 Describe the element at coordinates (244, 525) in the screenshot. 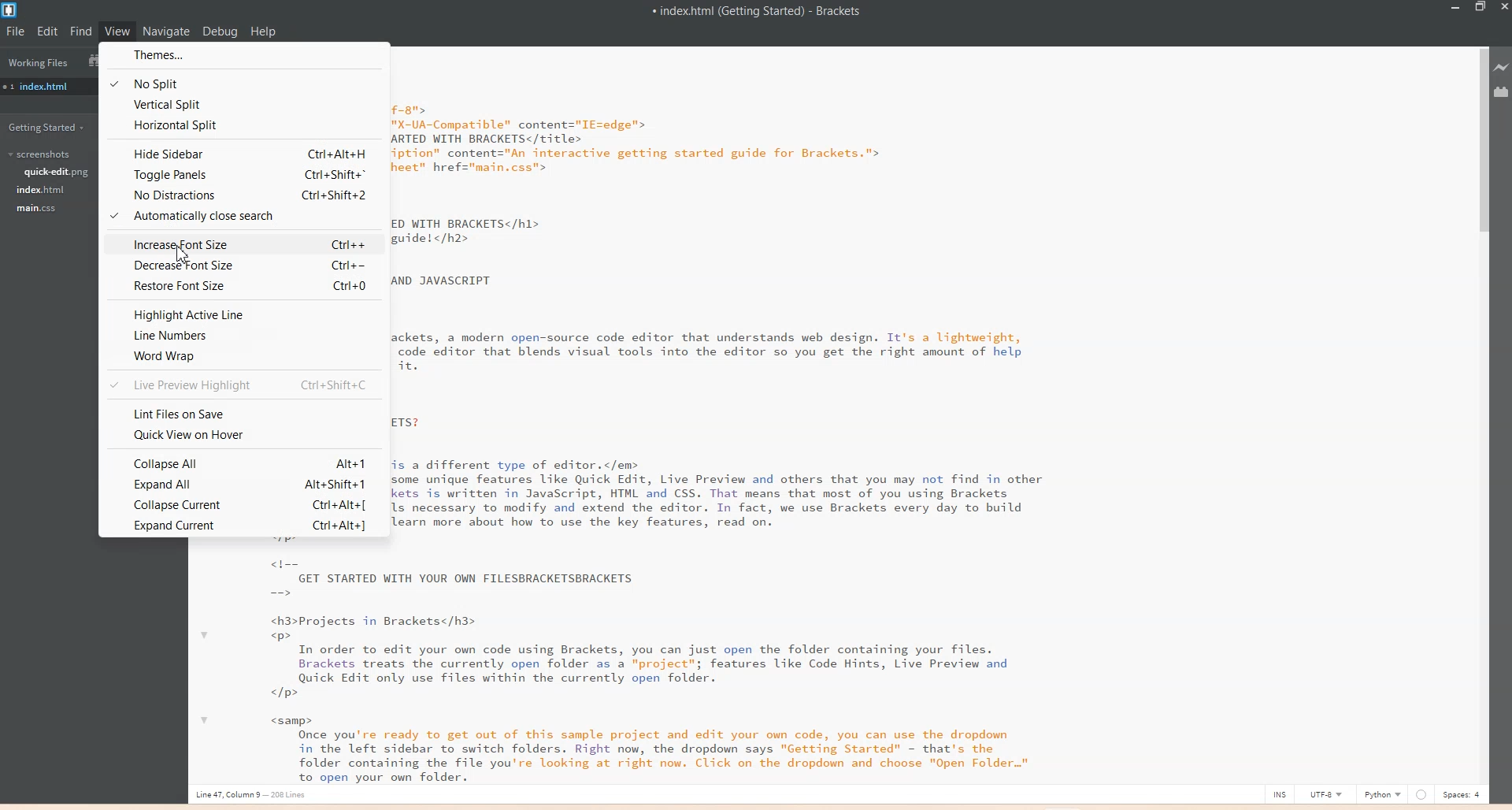

I see `Expand Current` at that location.